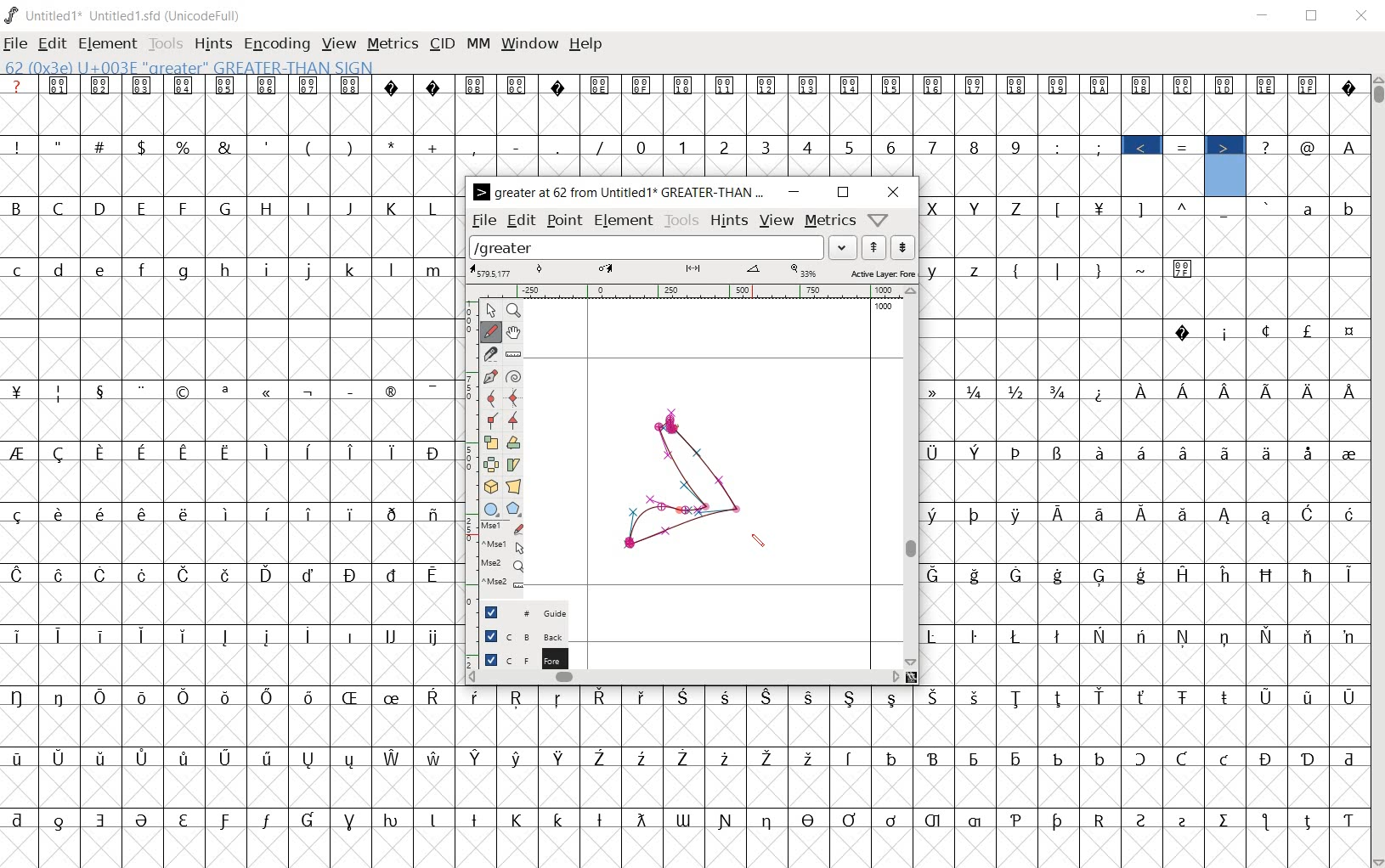  I want to click on metrics, so click(394, 45).